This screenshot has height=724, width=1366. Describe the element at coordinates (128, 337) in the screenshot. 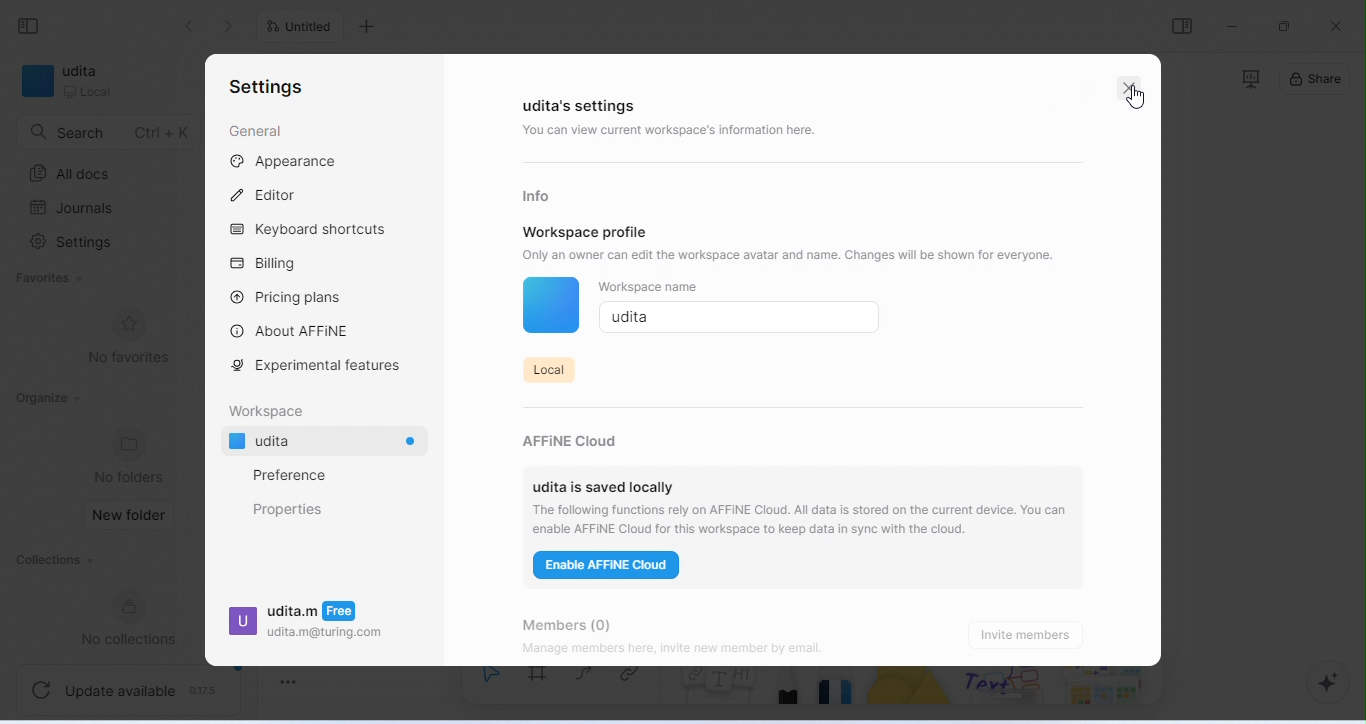

I see `no favorites` at that location.